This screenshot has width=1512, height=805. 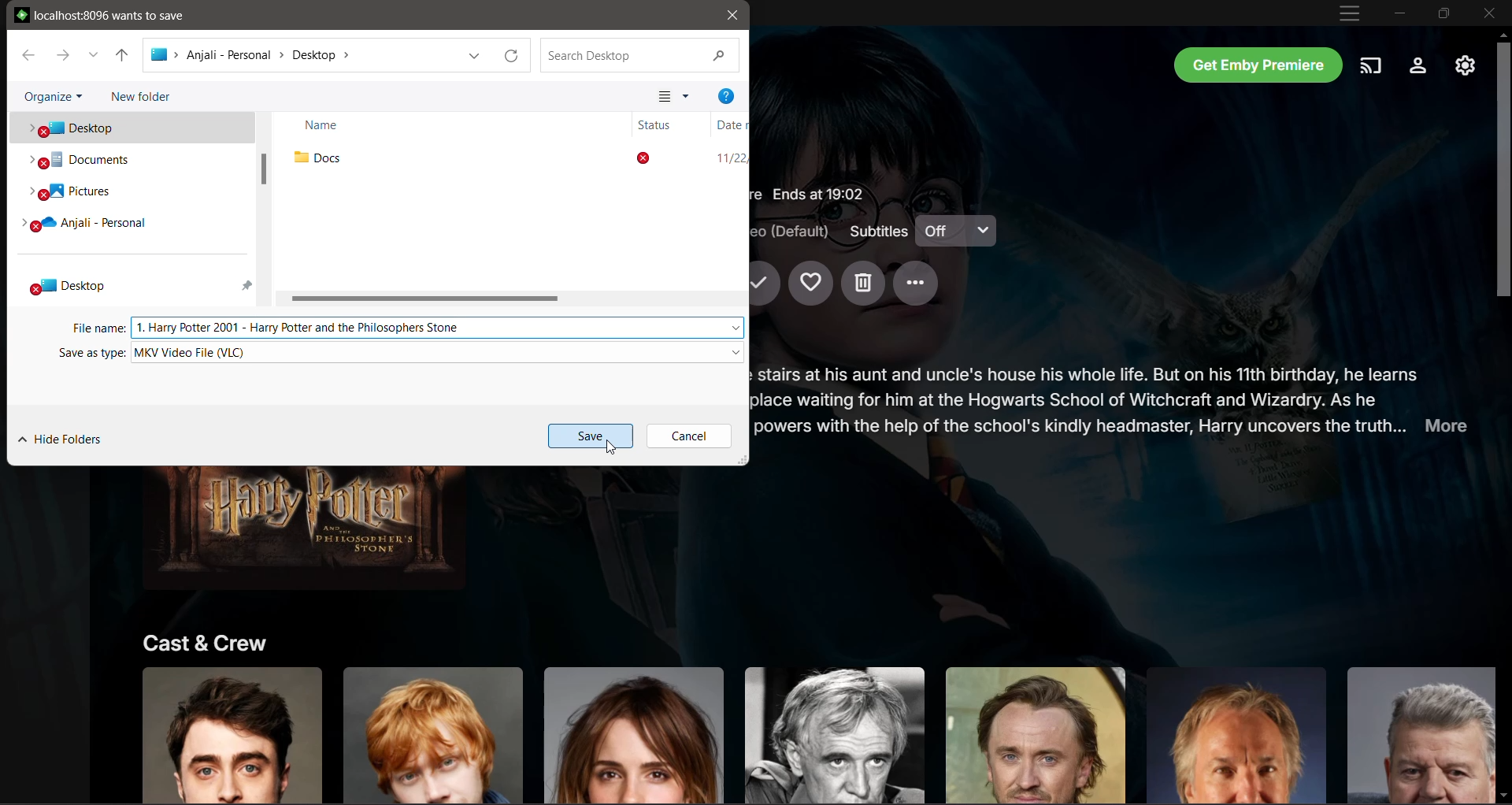 What do you see at coordinates (1464, 66) in the screenshot?
I see `Manage Emby Server` at bounding box center [1464, 66].